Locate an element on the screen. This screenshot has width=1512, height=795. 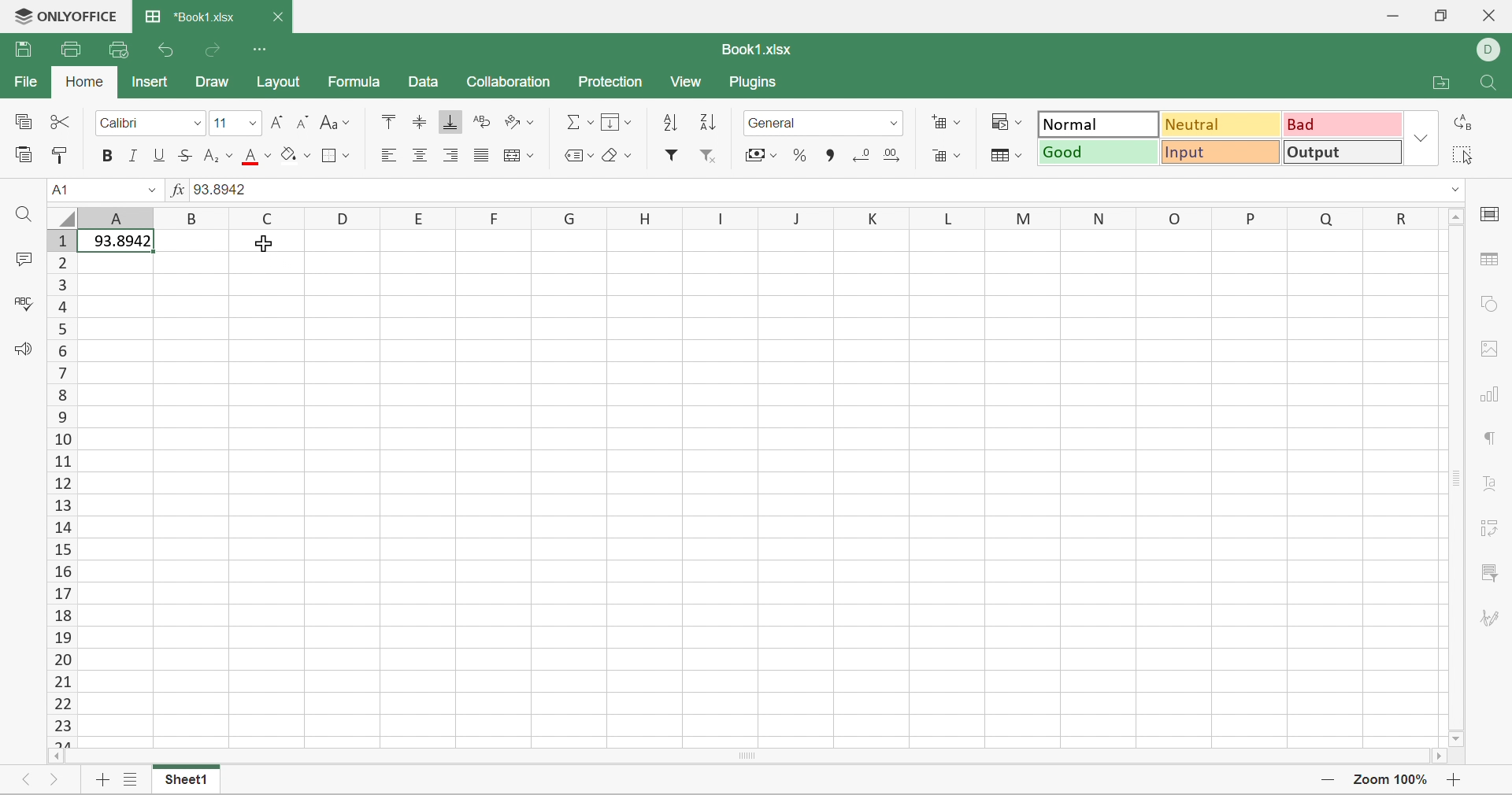
*Book1.xlsx is located at coordinates (188, 17).